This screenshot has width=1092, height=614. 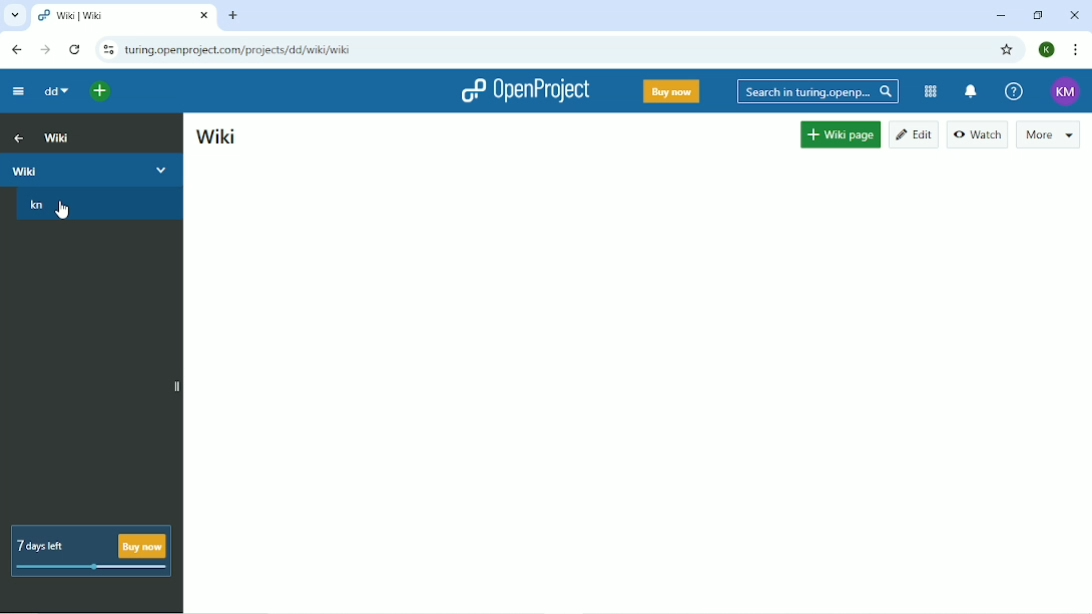 What do you see at coordinates (818, 92) in the screenshot?
I see `Search` at bounding box center [818, 92].